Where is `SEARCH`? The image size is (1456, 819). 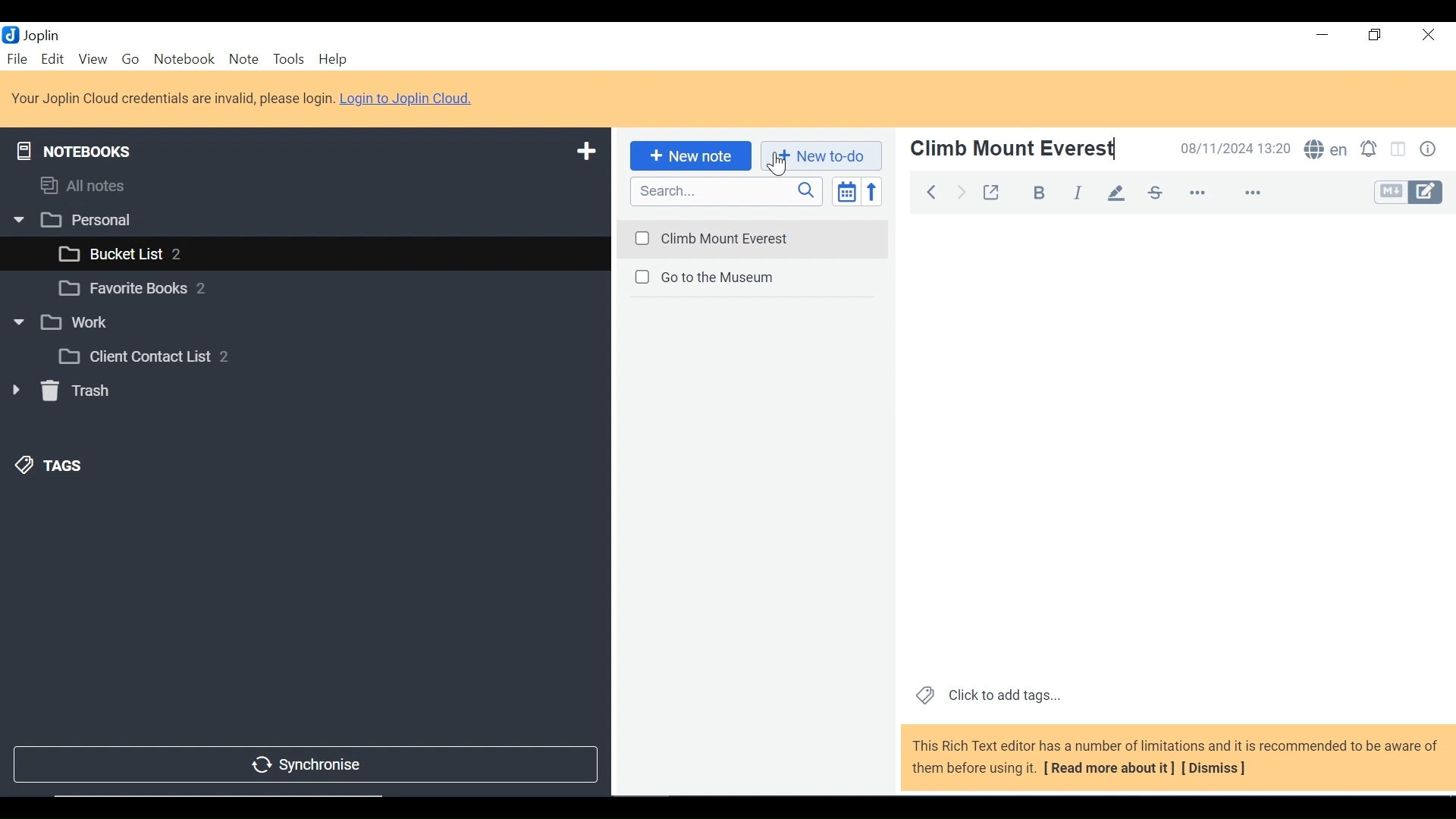
SEARCH is located at coordinates (727, 191).